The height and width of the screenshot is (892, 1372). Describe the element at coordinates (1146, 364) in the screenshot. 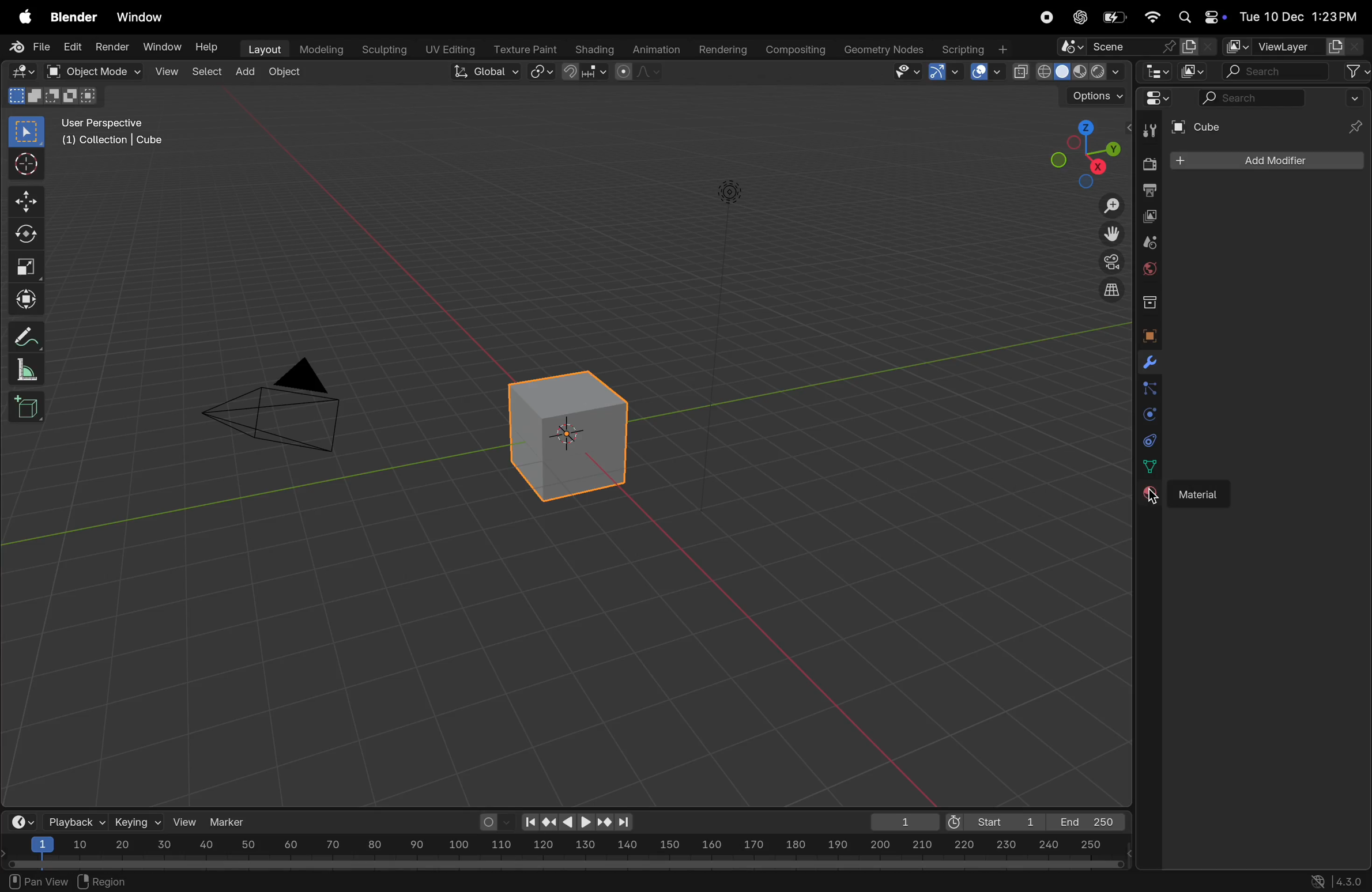

I see `modifiers` at that location.